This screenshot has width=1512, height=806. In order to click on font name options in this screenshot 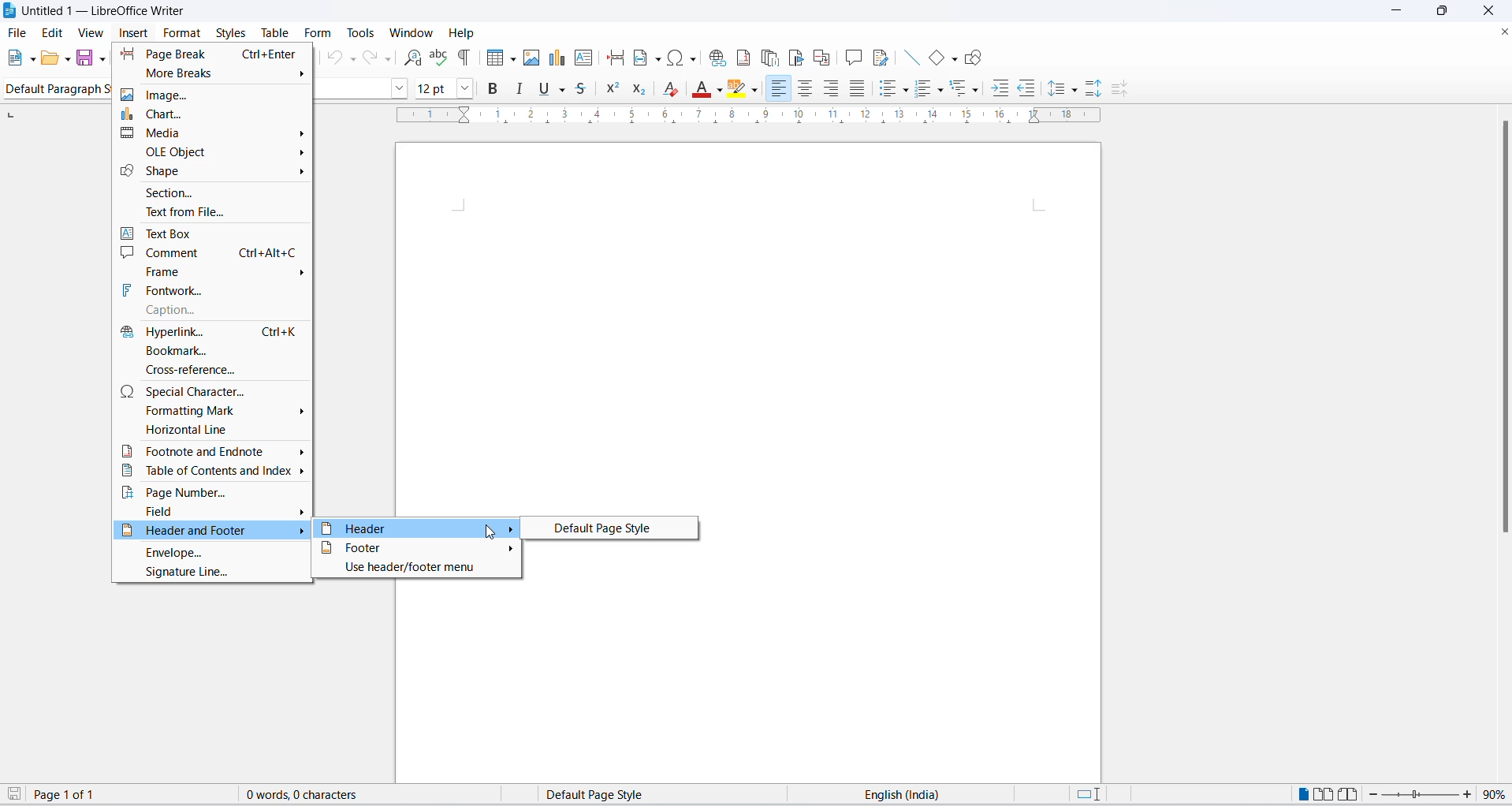, I will do `click(402, 88)`.